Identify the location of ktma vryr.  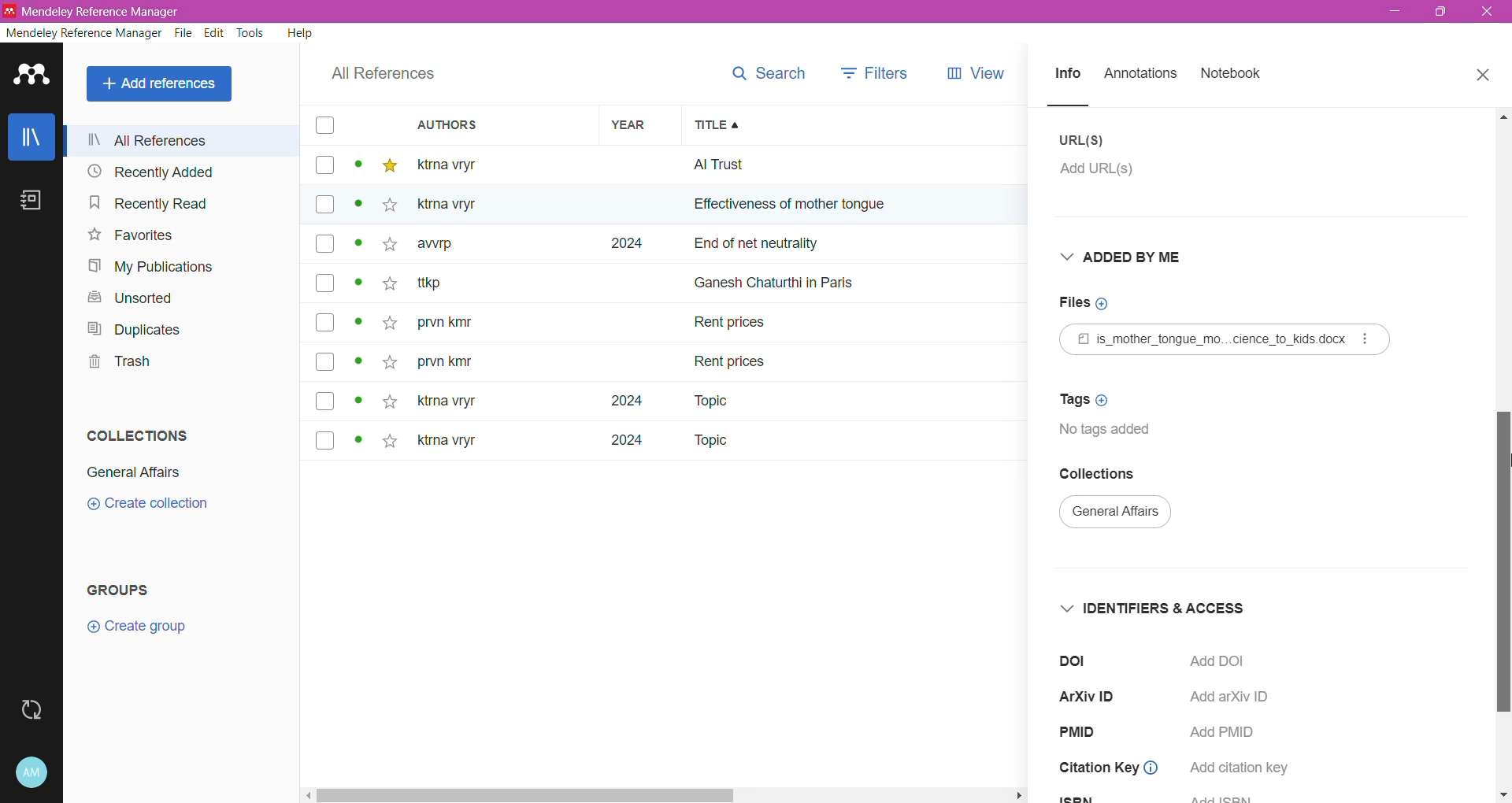
(447, 444).